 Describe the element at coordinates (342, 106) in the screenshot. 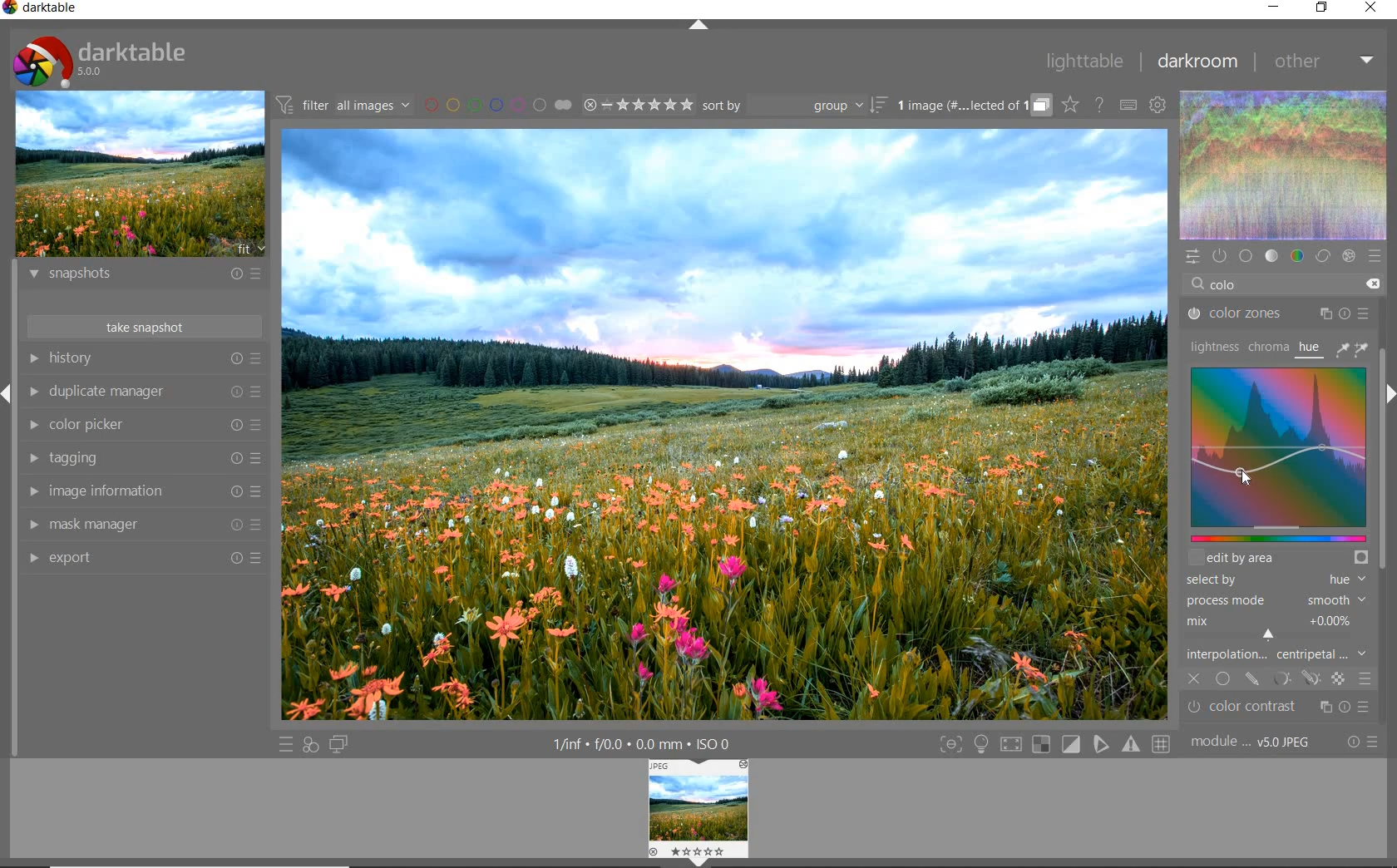

I see `filter all images by module order` at that location.